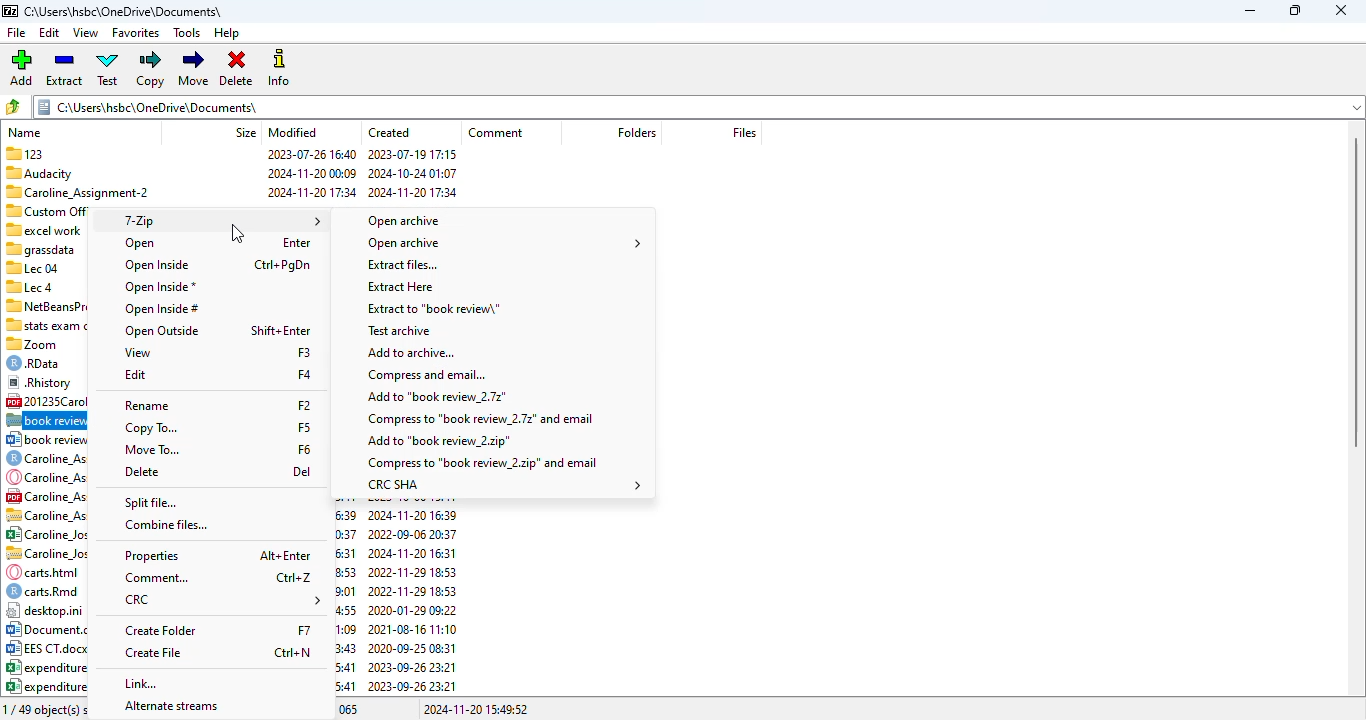  What do you see at coordinates (402, 264) in the screenshot?
I see `extract files` at bounding box center [402, 264].